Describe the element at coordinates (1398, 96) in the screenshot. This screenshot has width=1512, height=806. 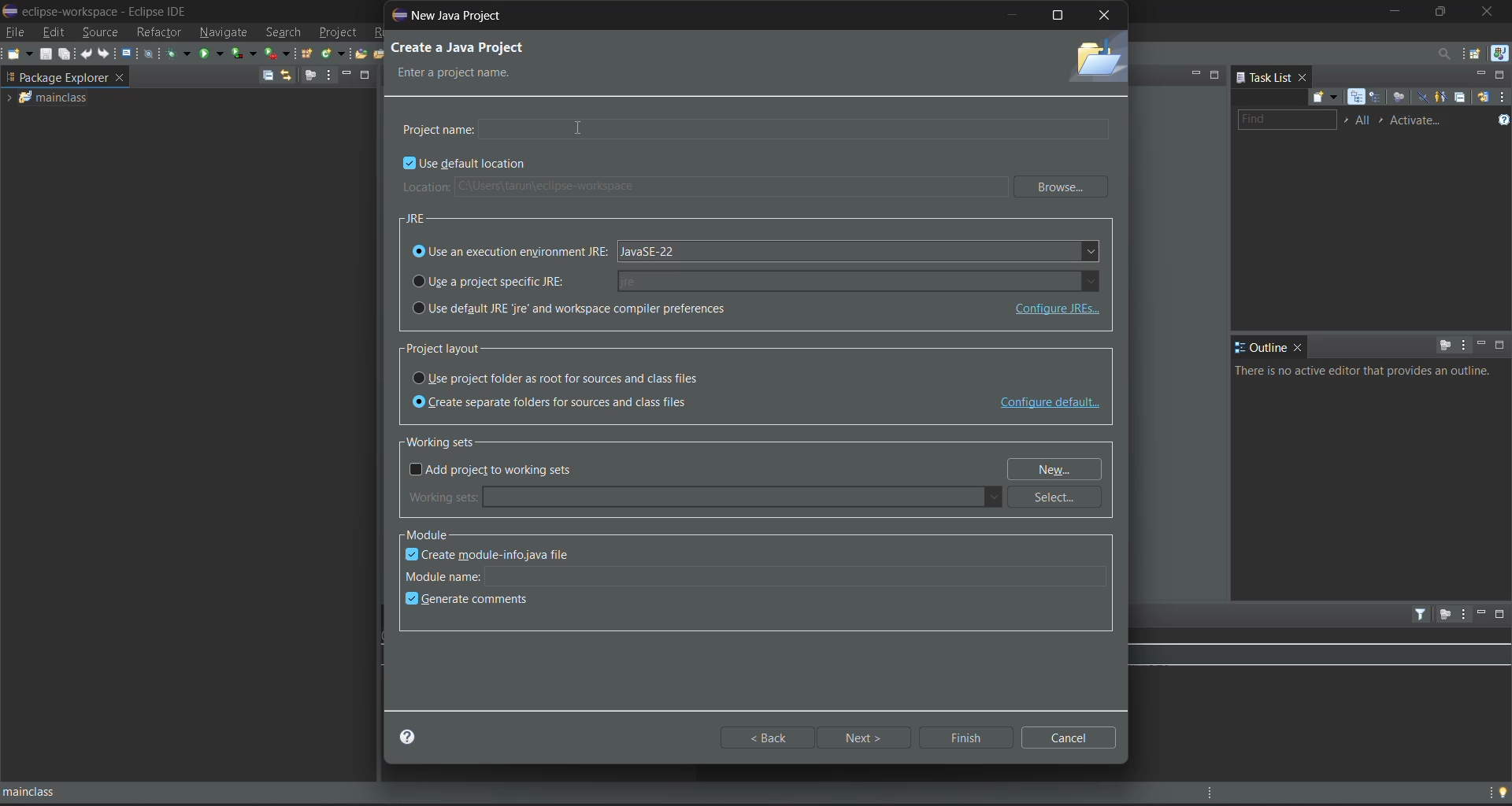
I see `focus on workweek` at that location.